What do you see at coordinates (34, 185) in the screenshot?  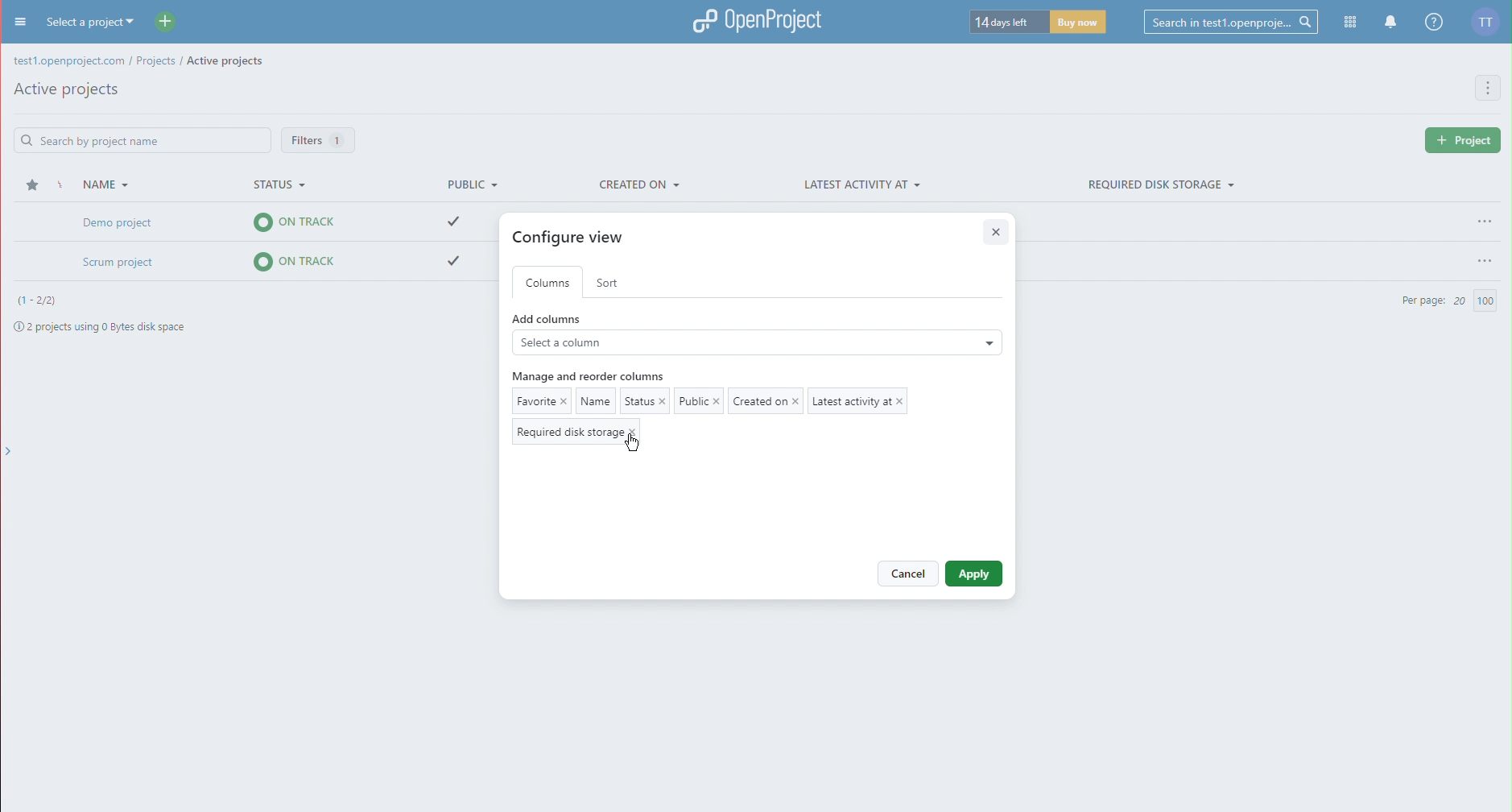 I see `Star` at bounding box center [34, 185].